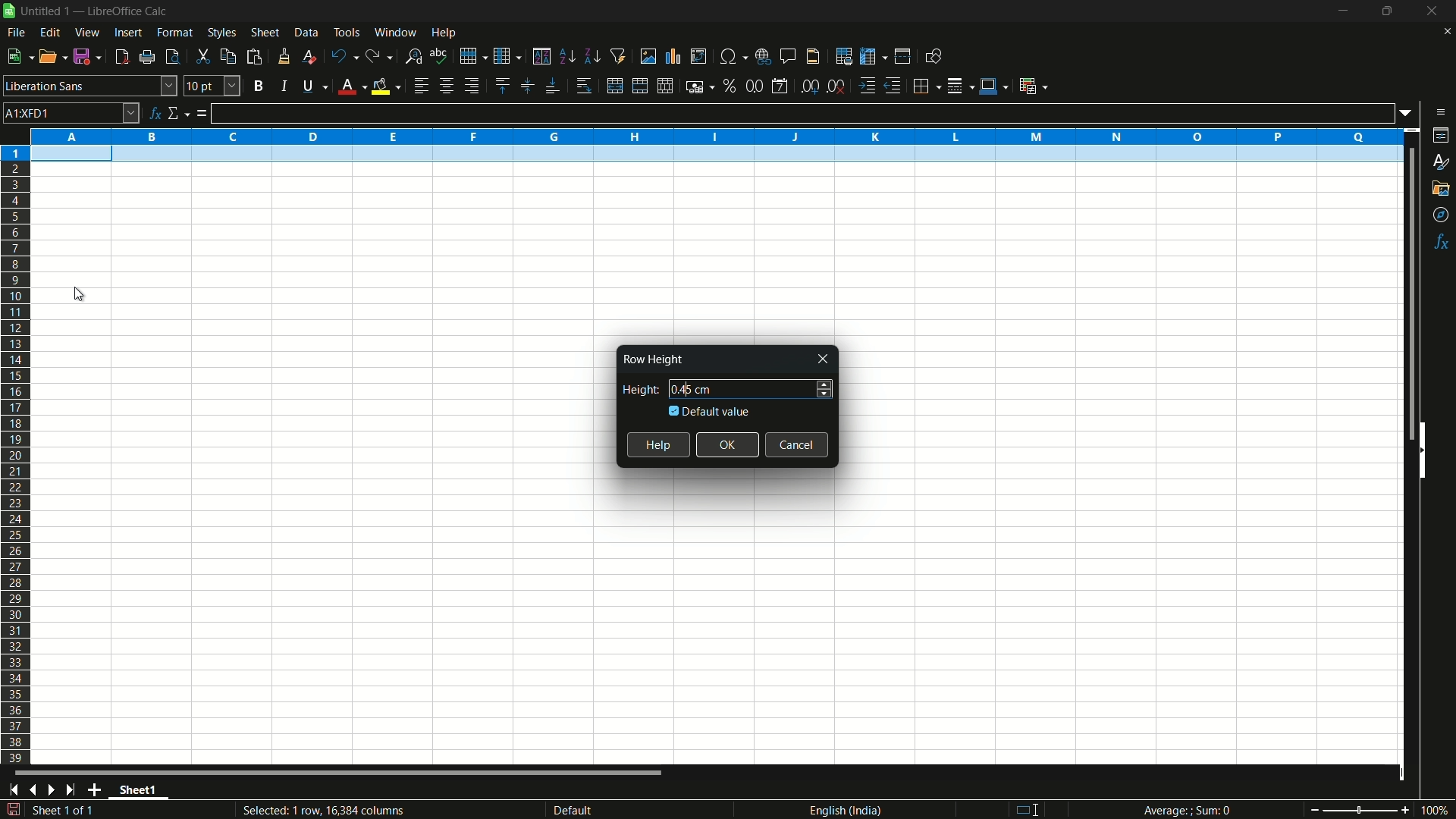 The image size is (1456, 819). I want to click on height 0.45 cm, so click(739, 388).